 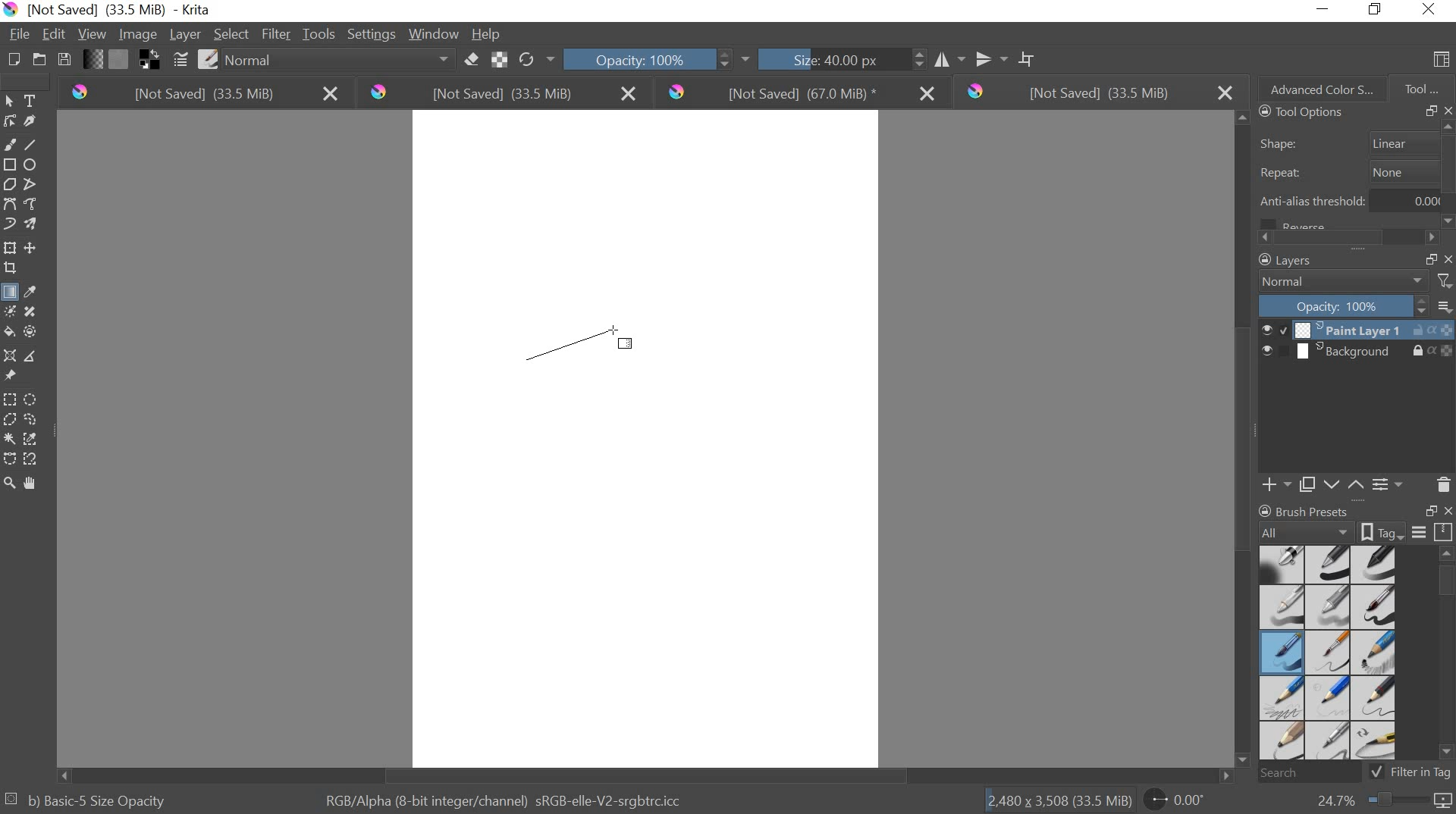 I want to click on RESTORE DOWN, so click(x=1430, y=111).